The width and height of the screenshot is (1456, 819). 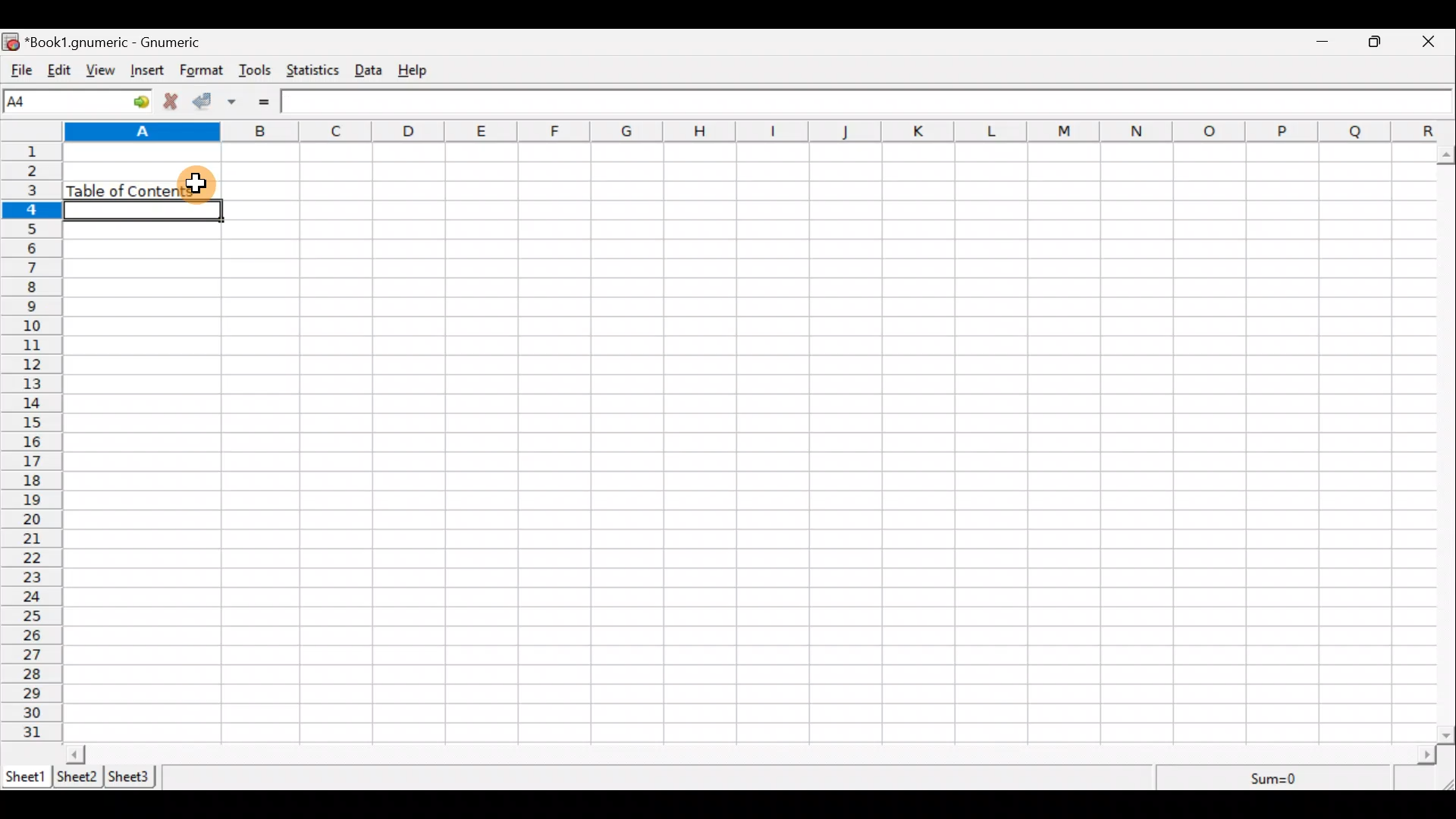 What do you see at coordinates (19, 71) in the screenshot?
I see `File` at bounding box center [19, 71].